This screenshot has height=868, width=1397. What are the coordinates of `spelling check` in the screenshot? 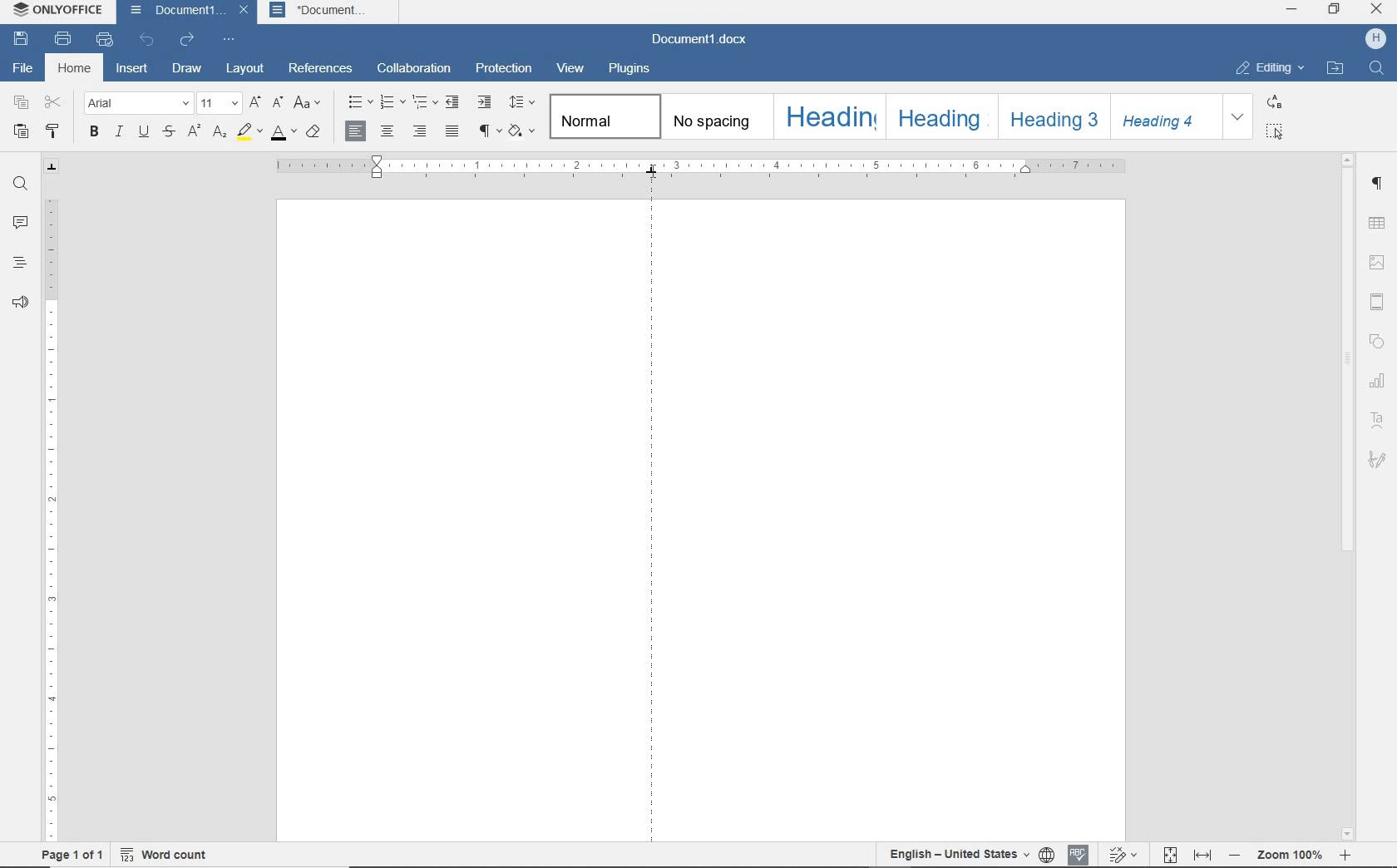 It's located at (1081, 855).